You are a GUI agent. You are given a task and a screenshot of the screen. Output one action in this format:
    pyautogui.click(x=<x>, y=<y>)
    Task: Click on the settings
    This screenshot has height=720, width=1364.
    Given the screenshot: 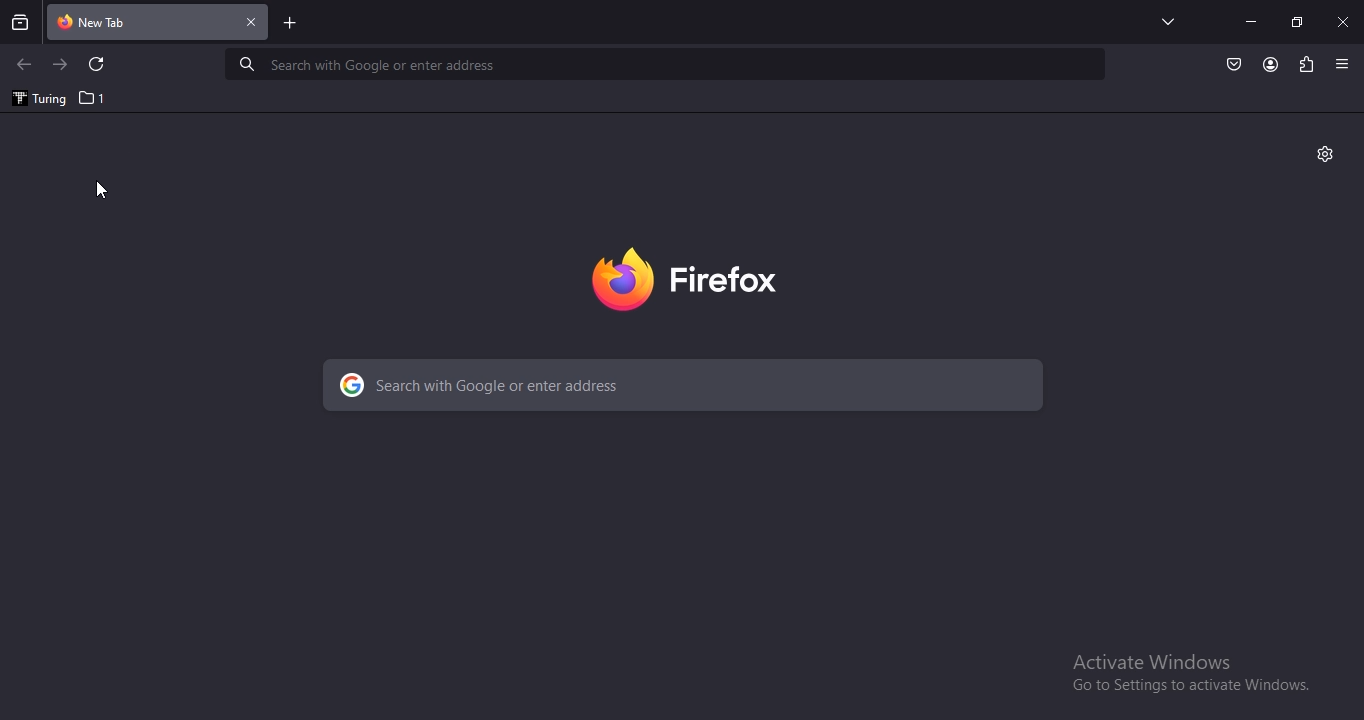 What is the action you would take?
    pyautogui.click(x=1325, y=152)
    